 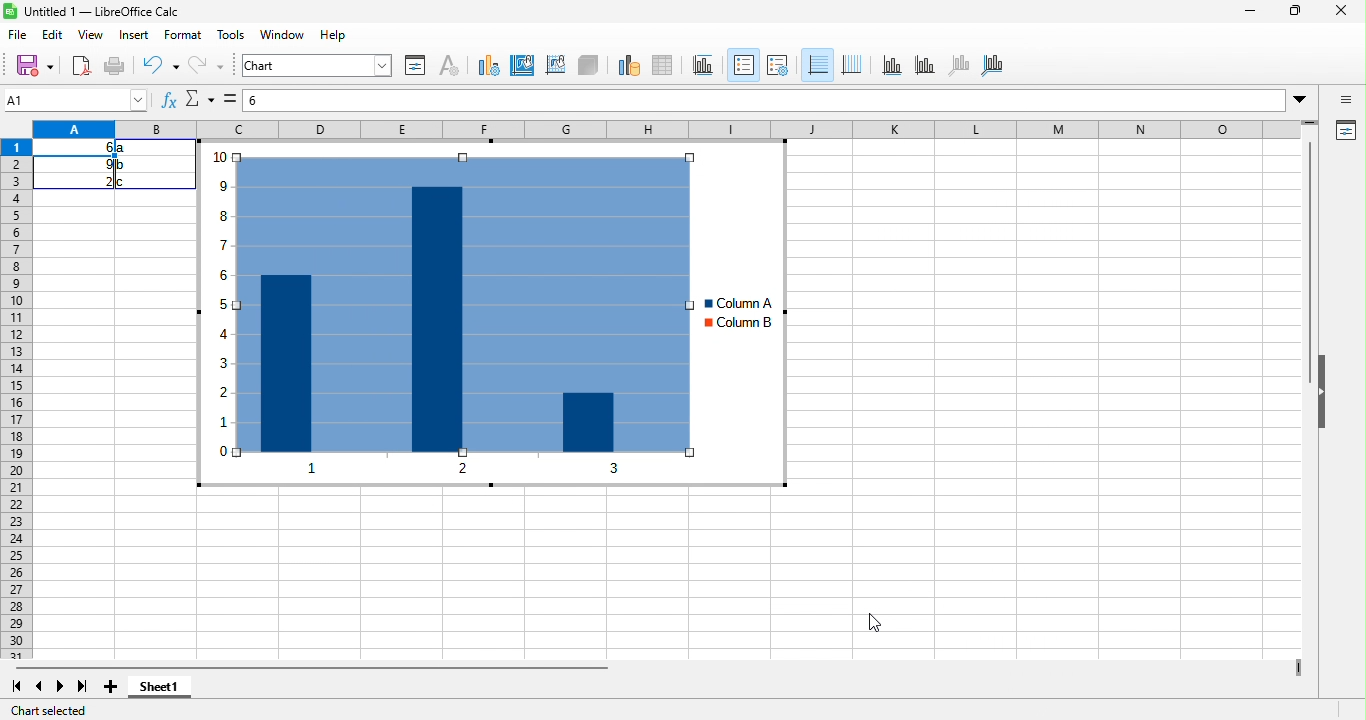 What do you see at coordinates (489, 66) in the screenshot?
I see `chart type` at bounding box center [489, 66].